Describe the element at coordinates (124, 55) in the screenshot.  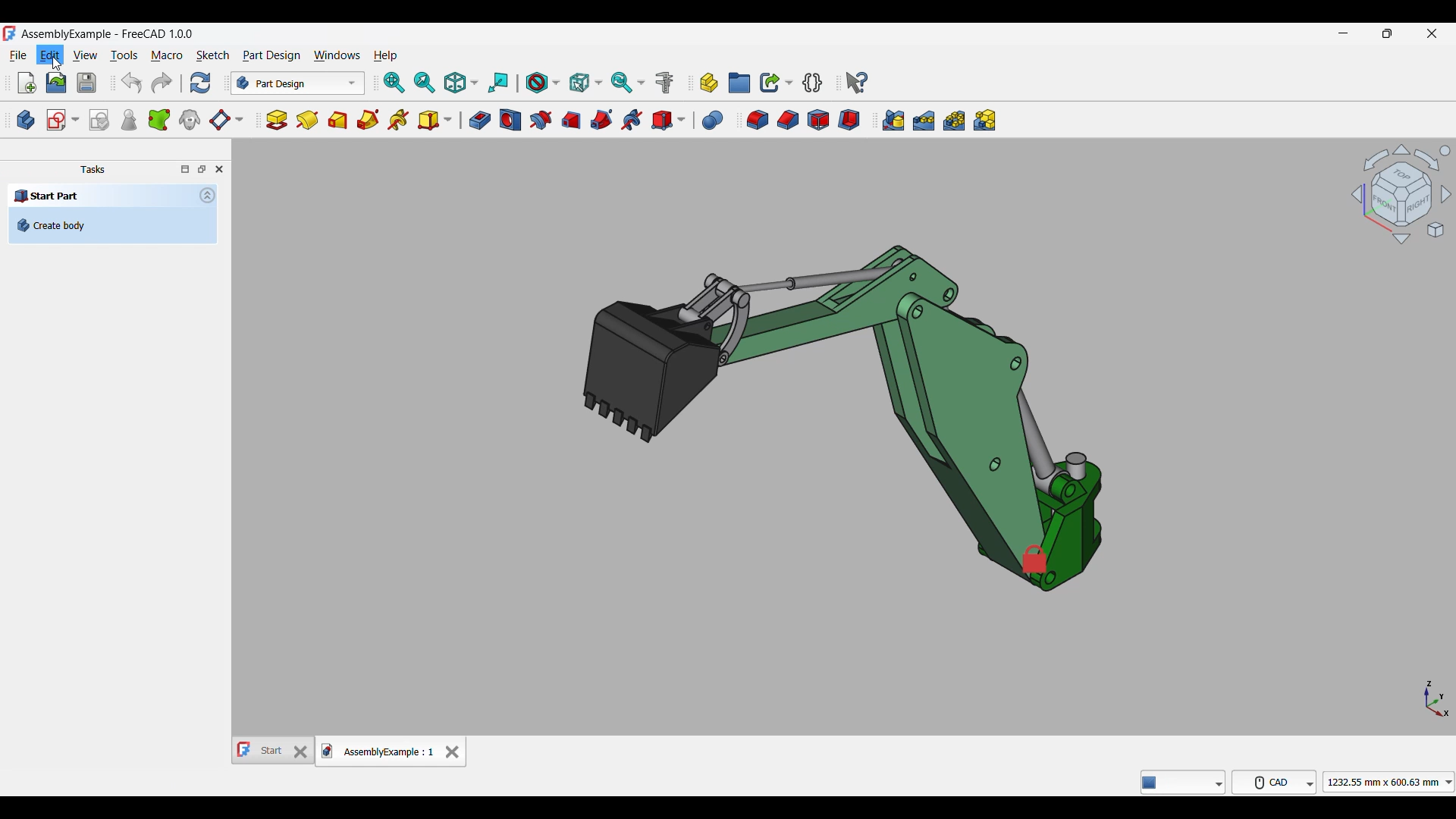
I see `Tools menu` at that location.